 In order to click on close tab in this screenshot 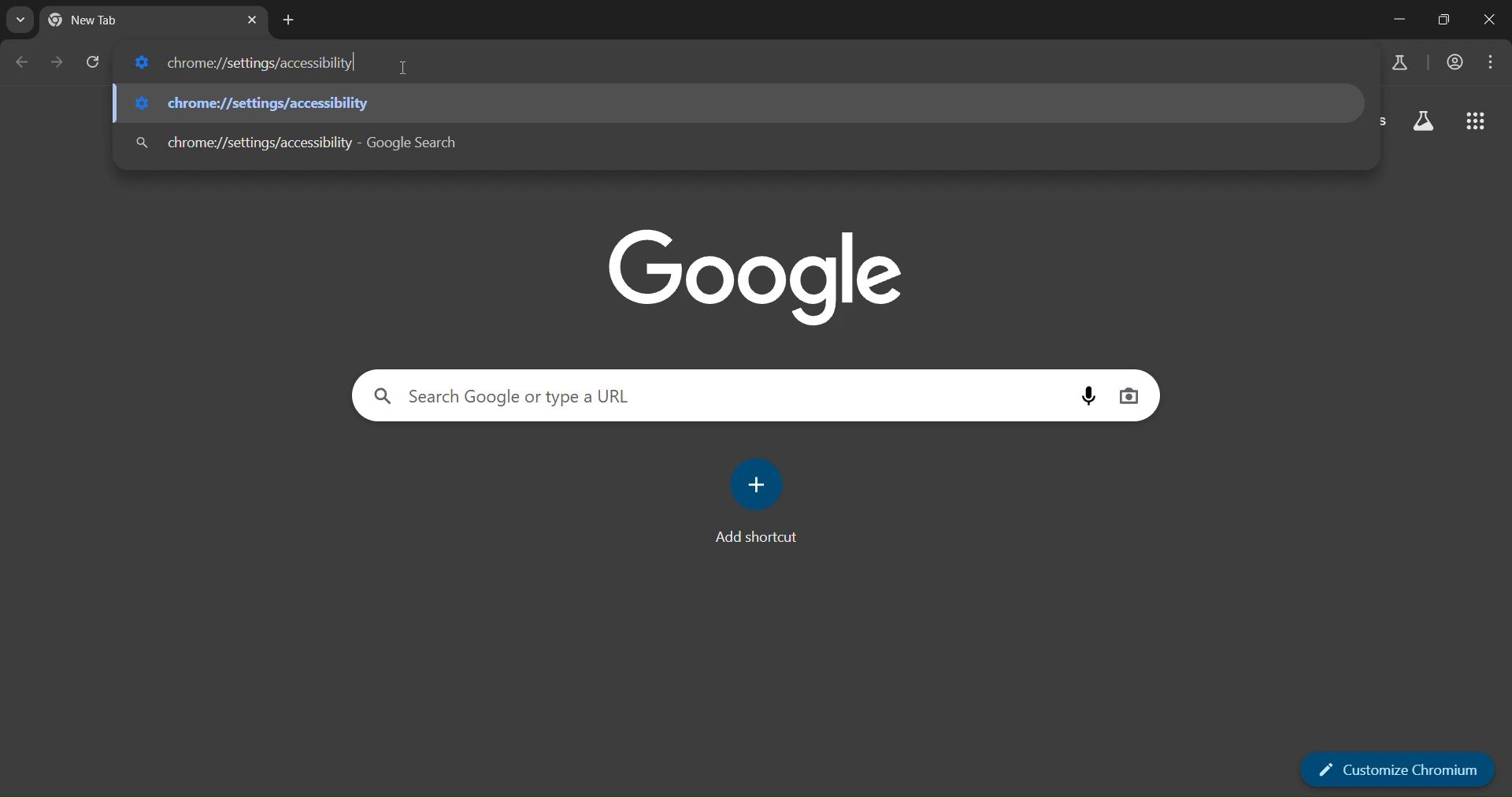, I will do `click(251, 20)`.